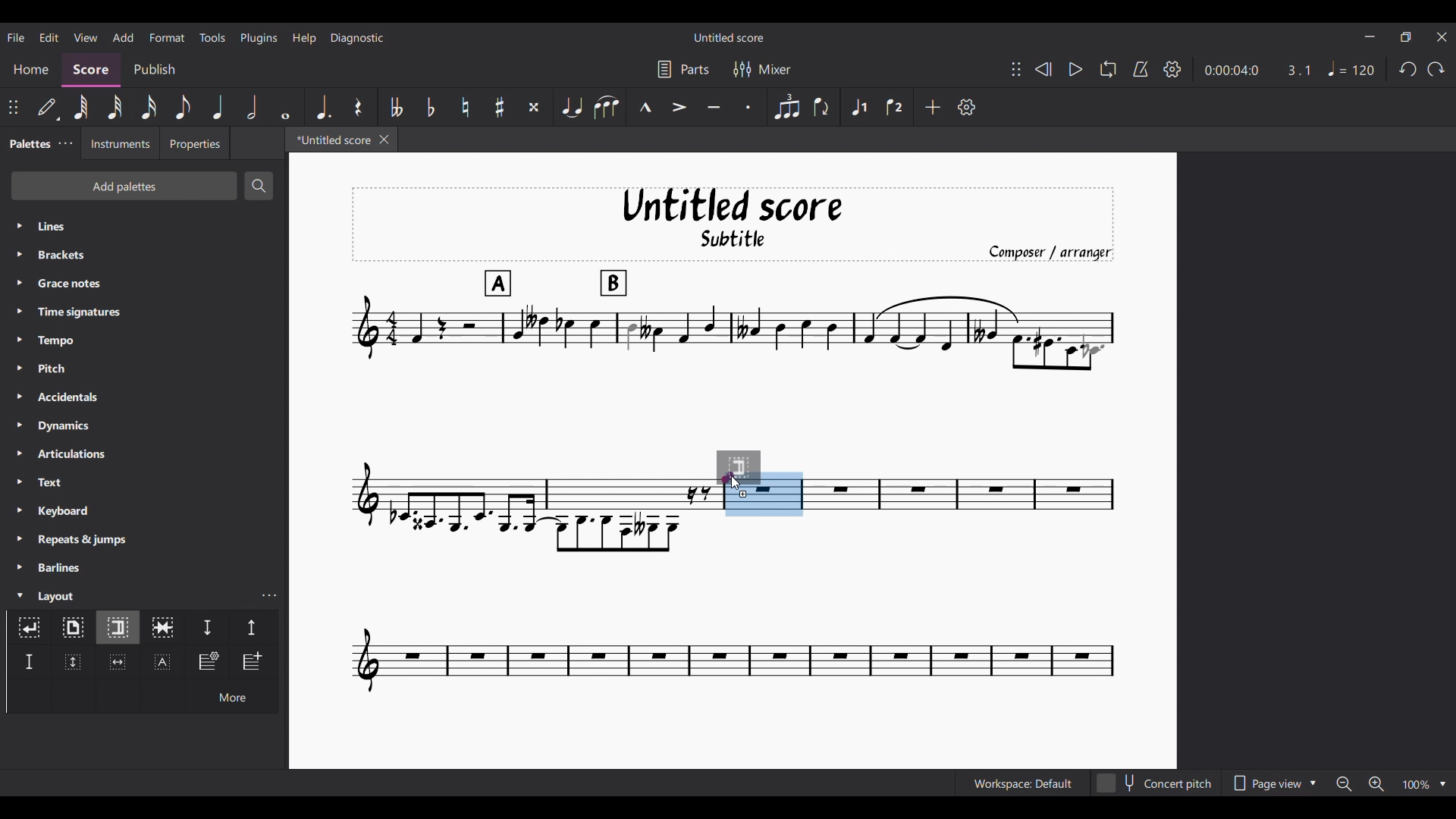 The height and width of the screenshot is (819, 1456). I want to click on Home section, so click(30, 70).